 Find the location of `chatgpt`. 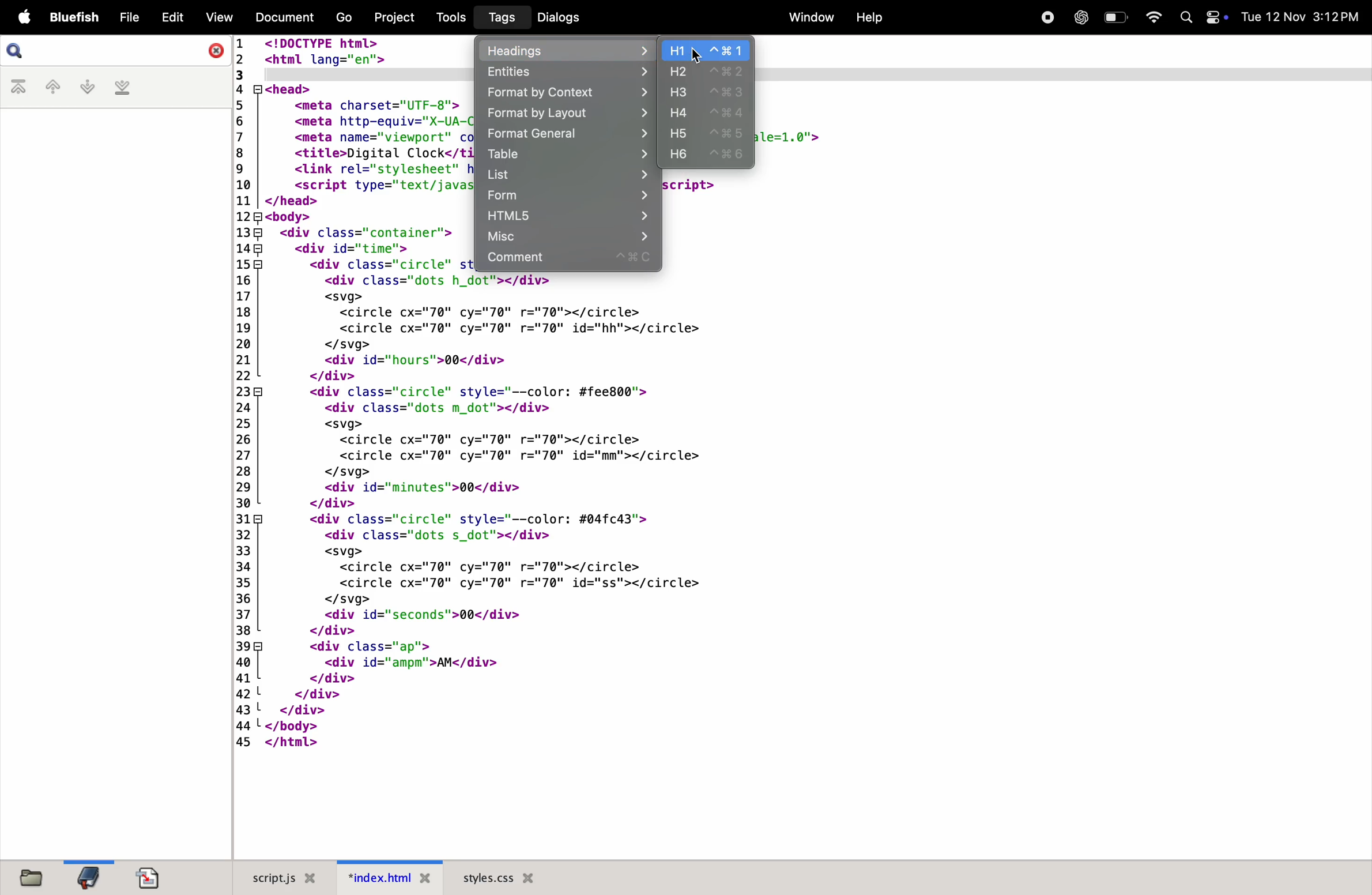

chatgpt is located at coordinates (1080, 17).